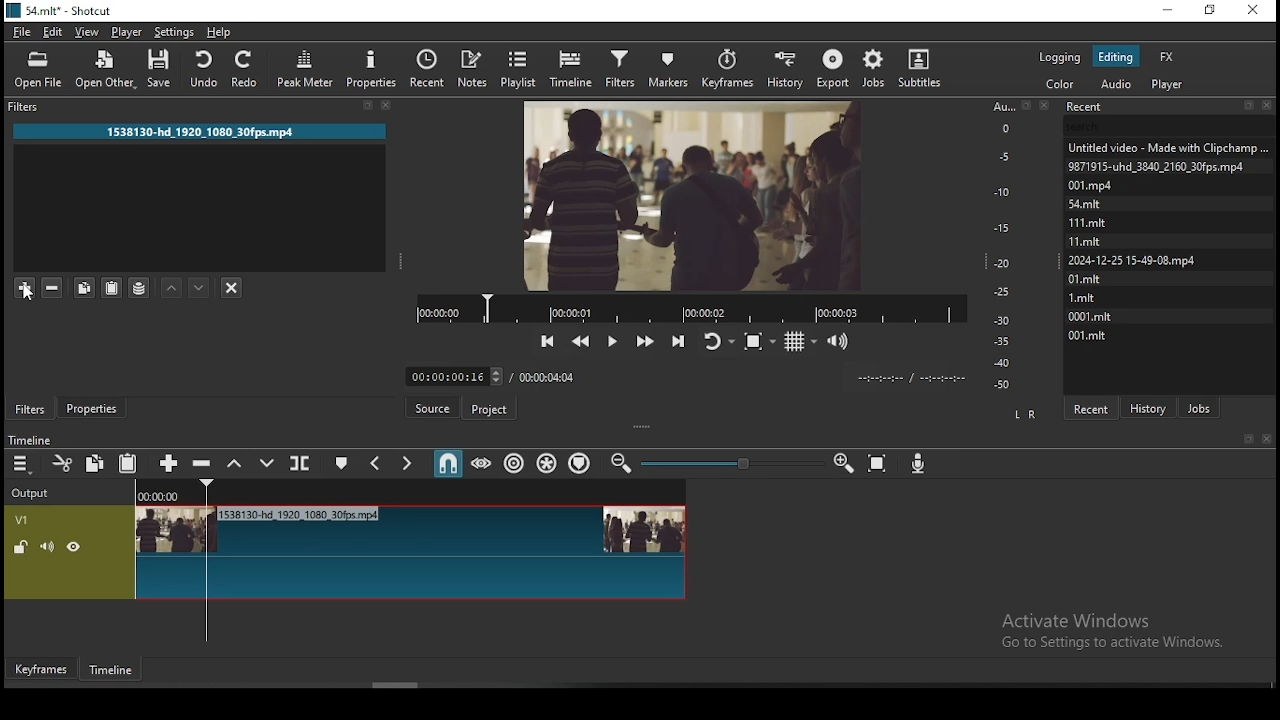 The height and width of the screenshot is (720, 1280). I want to click on snap, so click(447, 464).